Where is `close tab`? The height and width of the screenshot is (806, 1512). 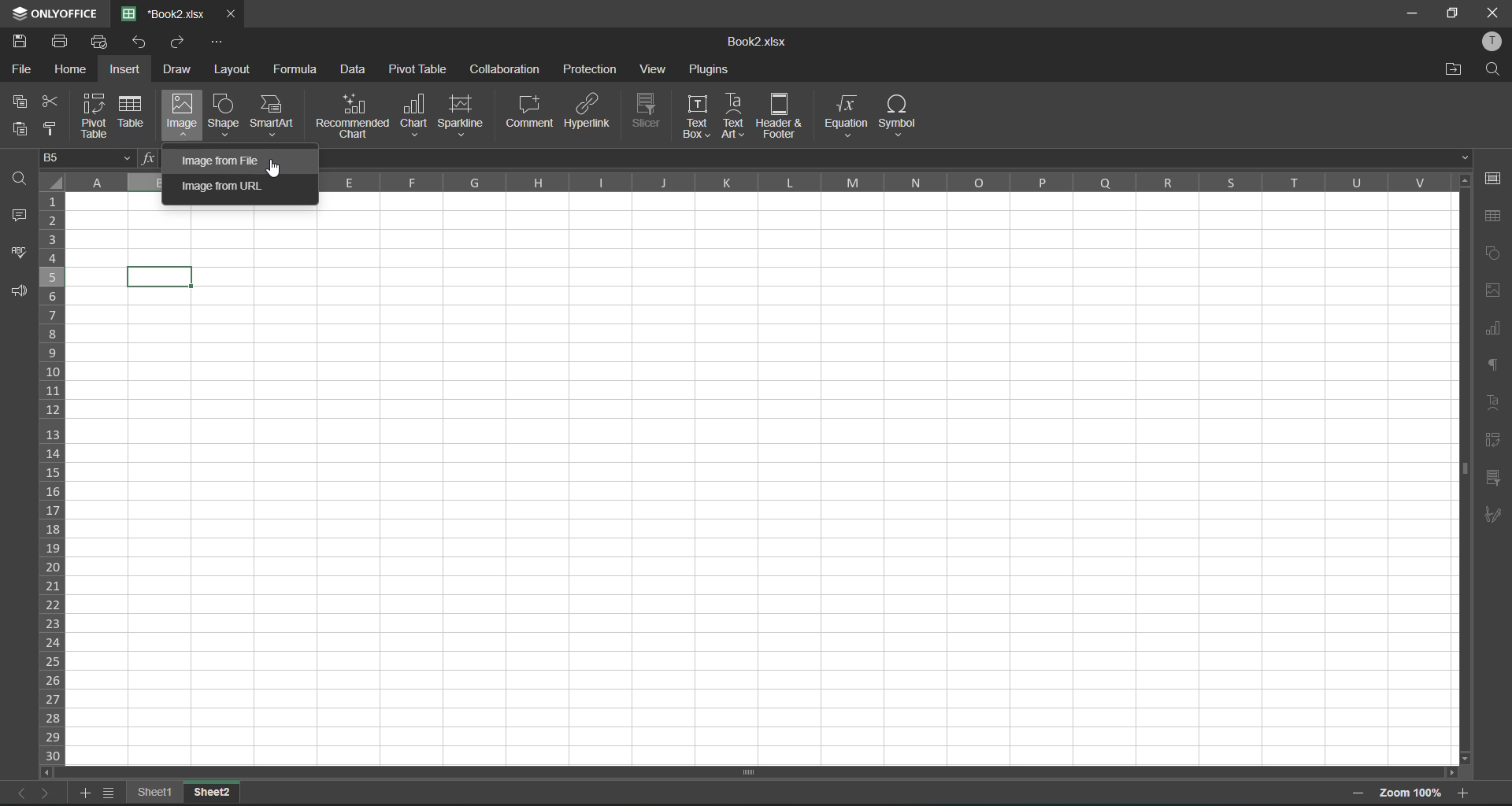 close tab is located at coordinates (232, 15).